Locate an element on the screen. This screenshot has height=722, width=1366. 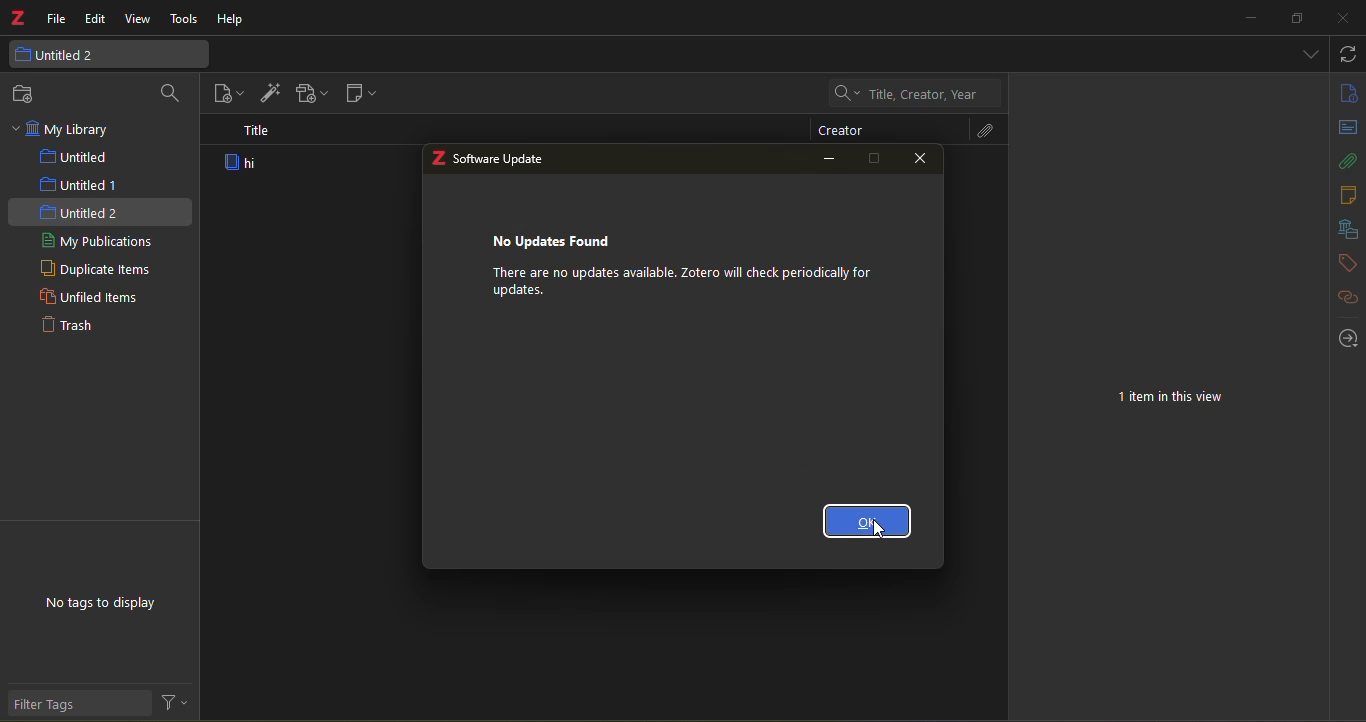
abstract is located at coordinates (1349, 127).